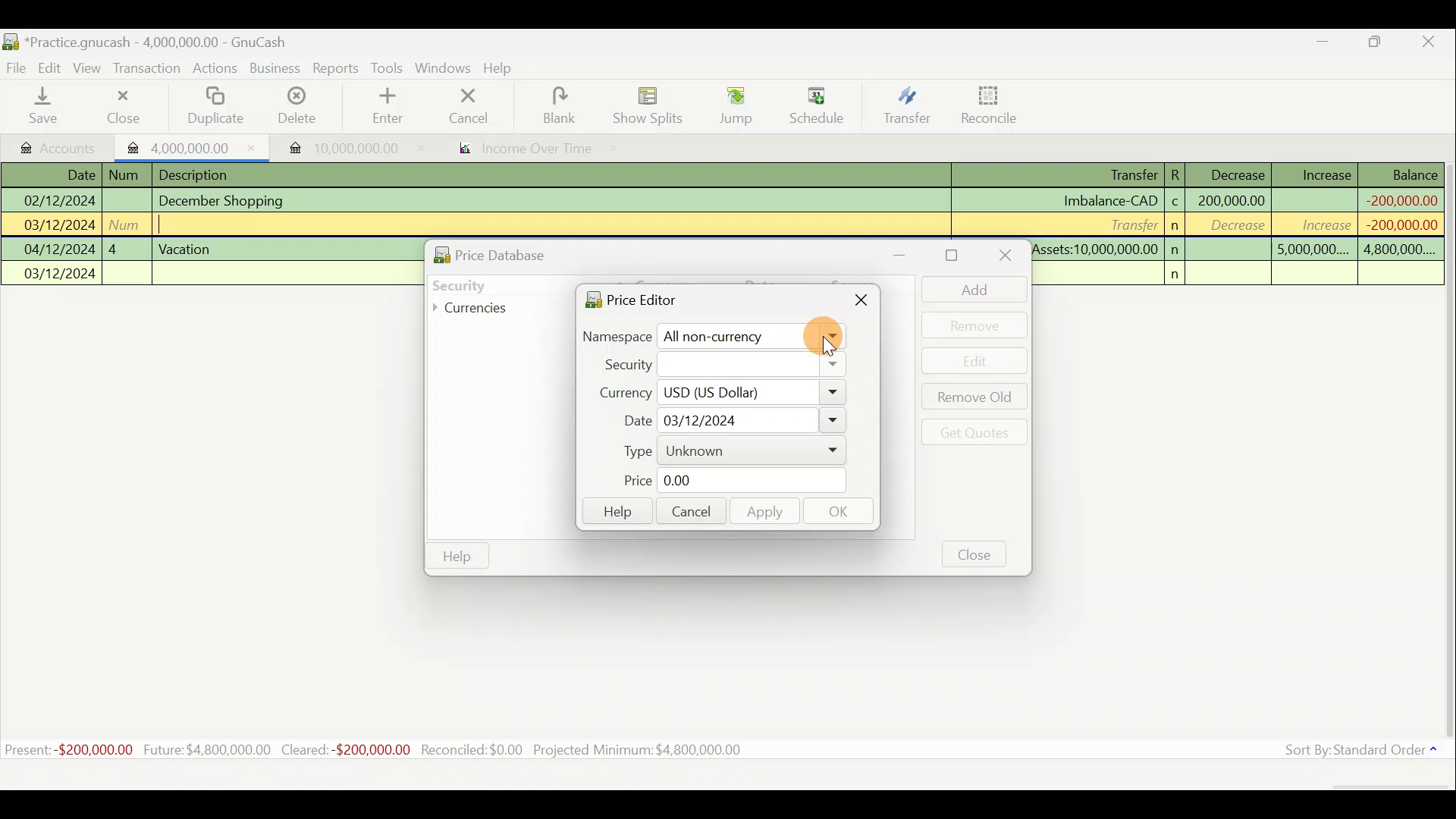 The width and height of the screenshot is (1456, 819). I want to click on Remove old, so click(971, 398).